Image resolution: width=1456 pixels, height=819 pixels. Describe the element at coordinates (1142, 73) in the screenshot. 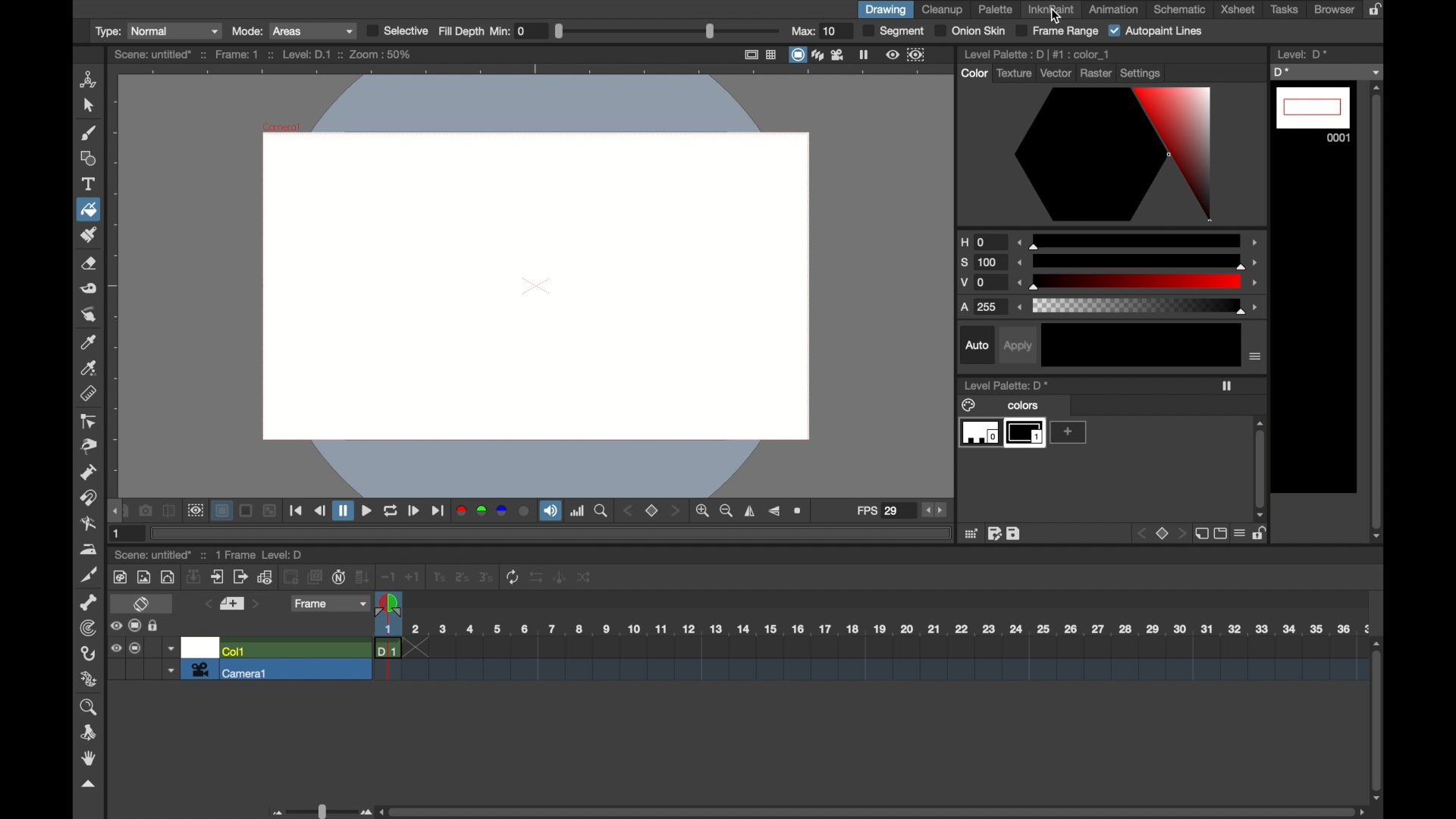

I see `settings` at that location.